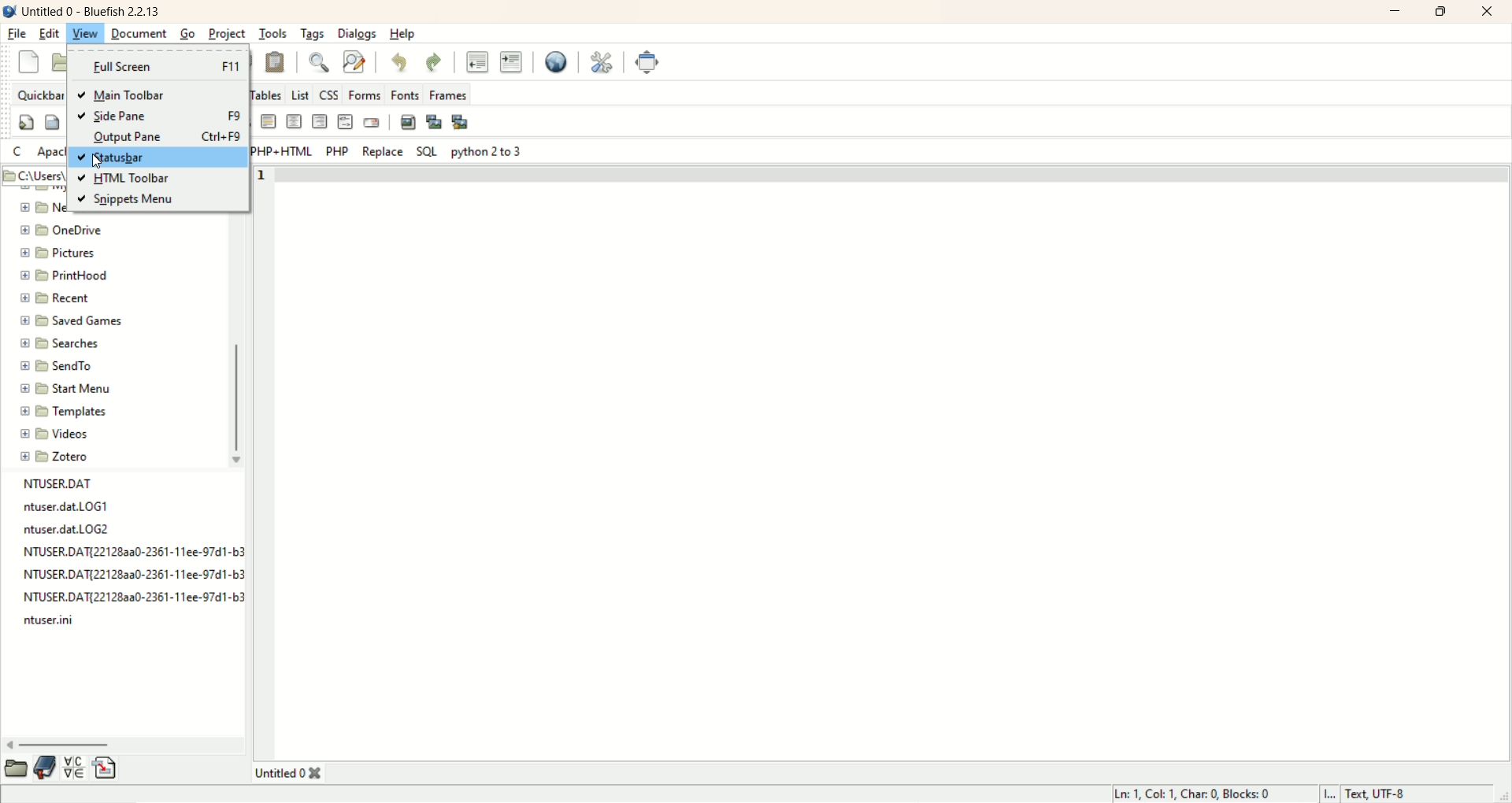 The width and height of the screenshot is (1512, 803). I want to click on insert image, so click(407, 124).